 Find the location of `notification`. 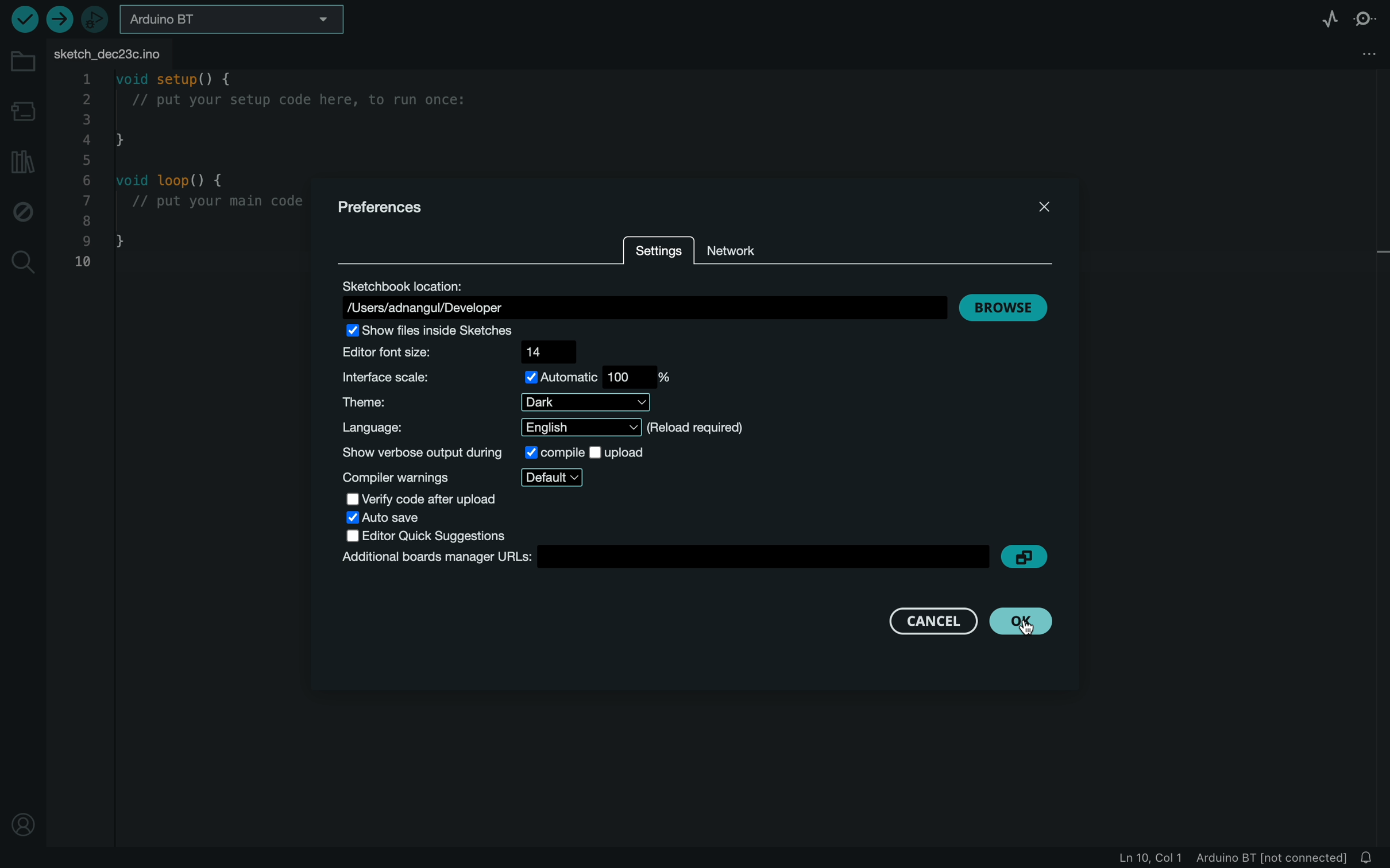

notification is located at coordinates (1369, 858).